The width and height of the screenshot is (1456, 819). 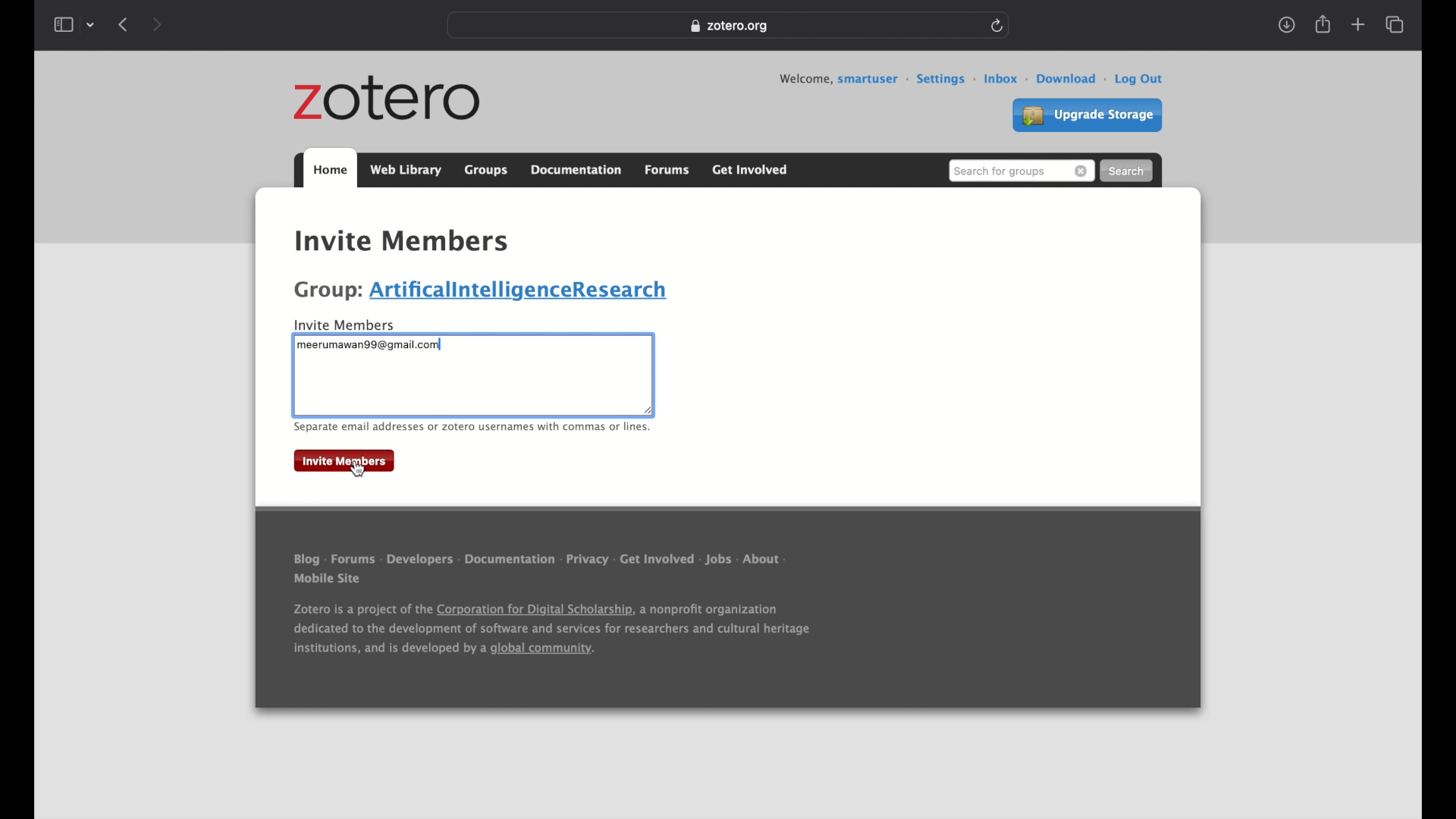 What do you see at coordinates (1141, 80) in the screenshot?
I see `log out` at bounding box center [1141, 80].